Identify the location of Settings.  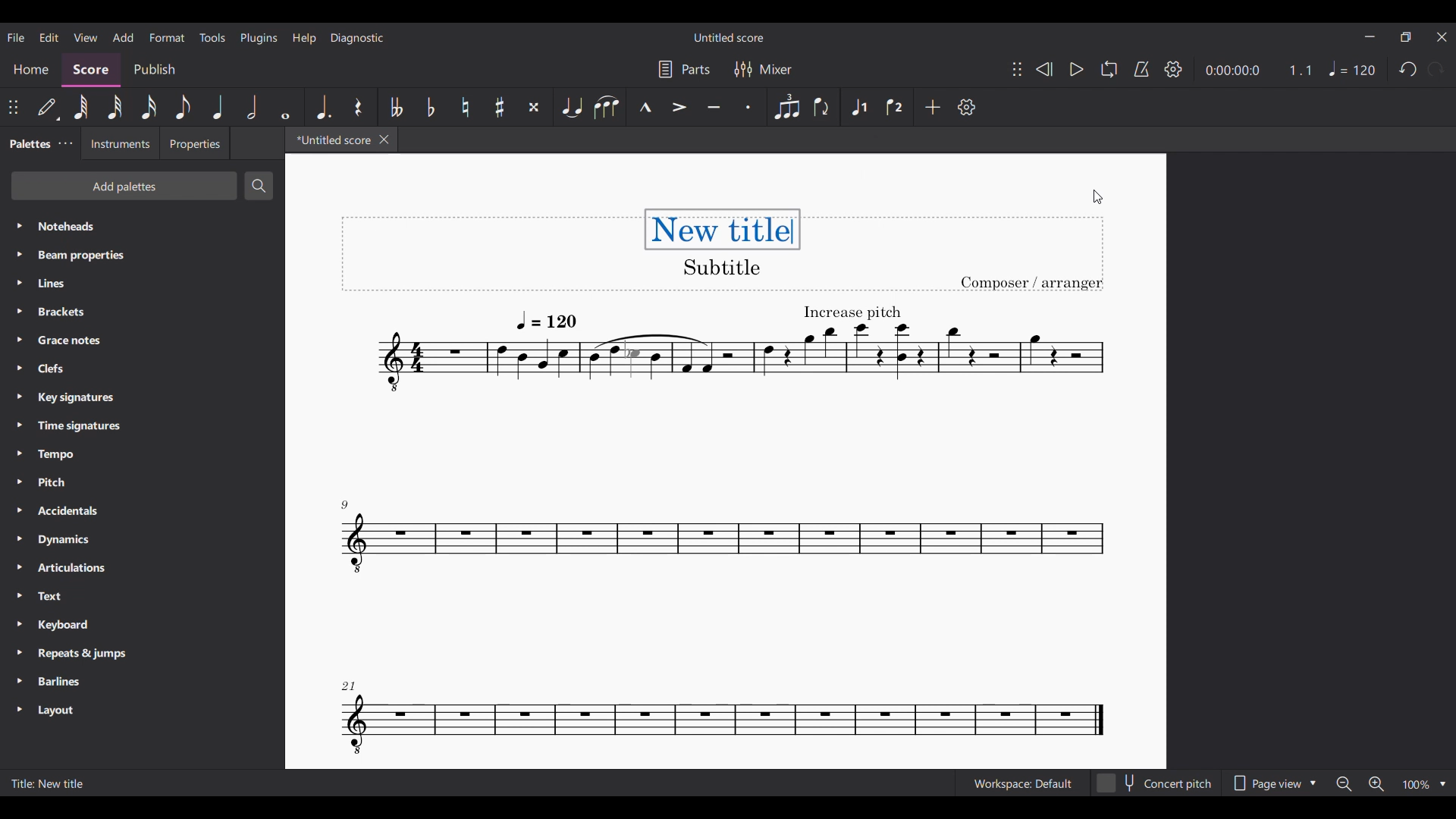
(967, 107).